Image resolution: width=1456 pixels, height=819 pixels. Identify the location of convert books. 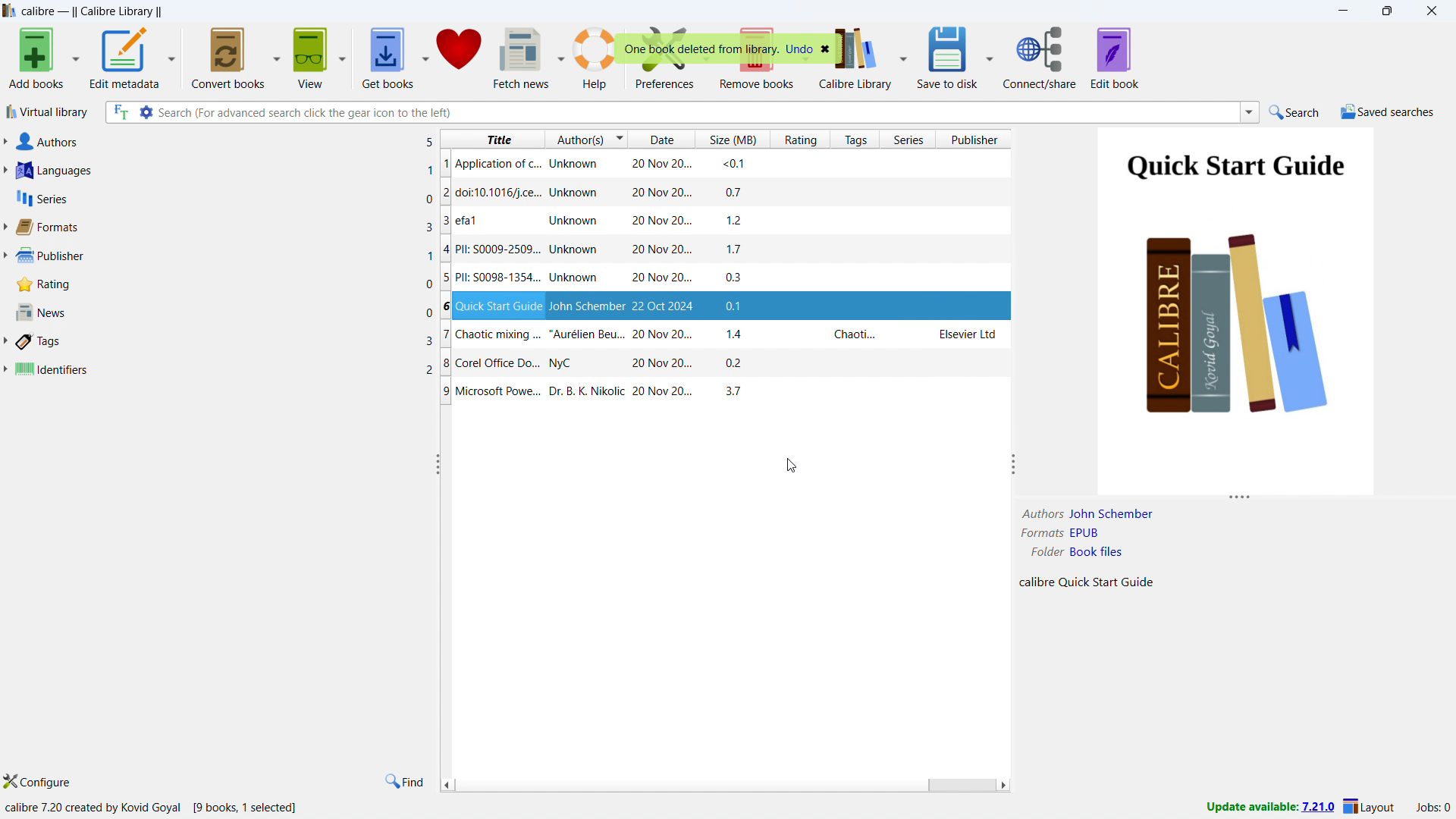
(230, 56).